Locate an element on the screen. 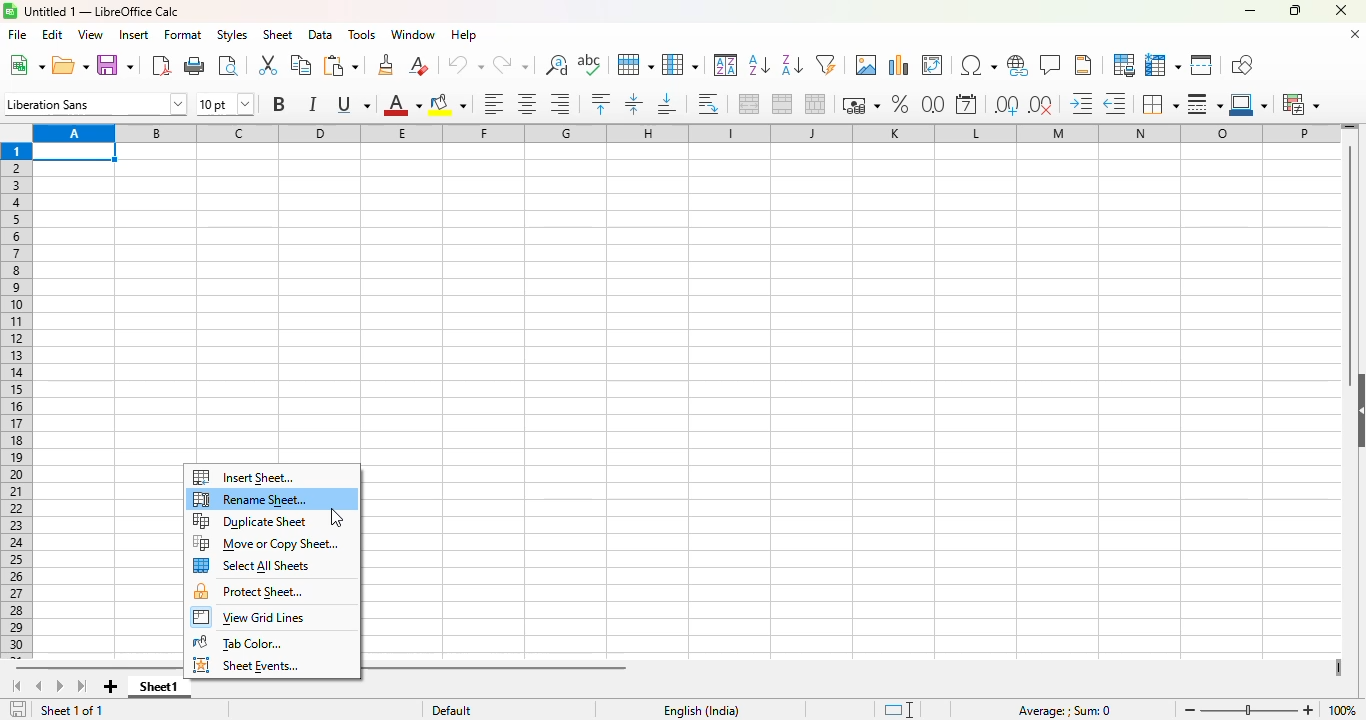  100% is located at coordinates (1343, 710).